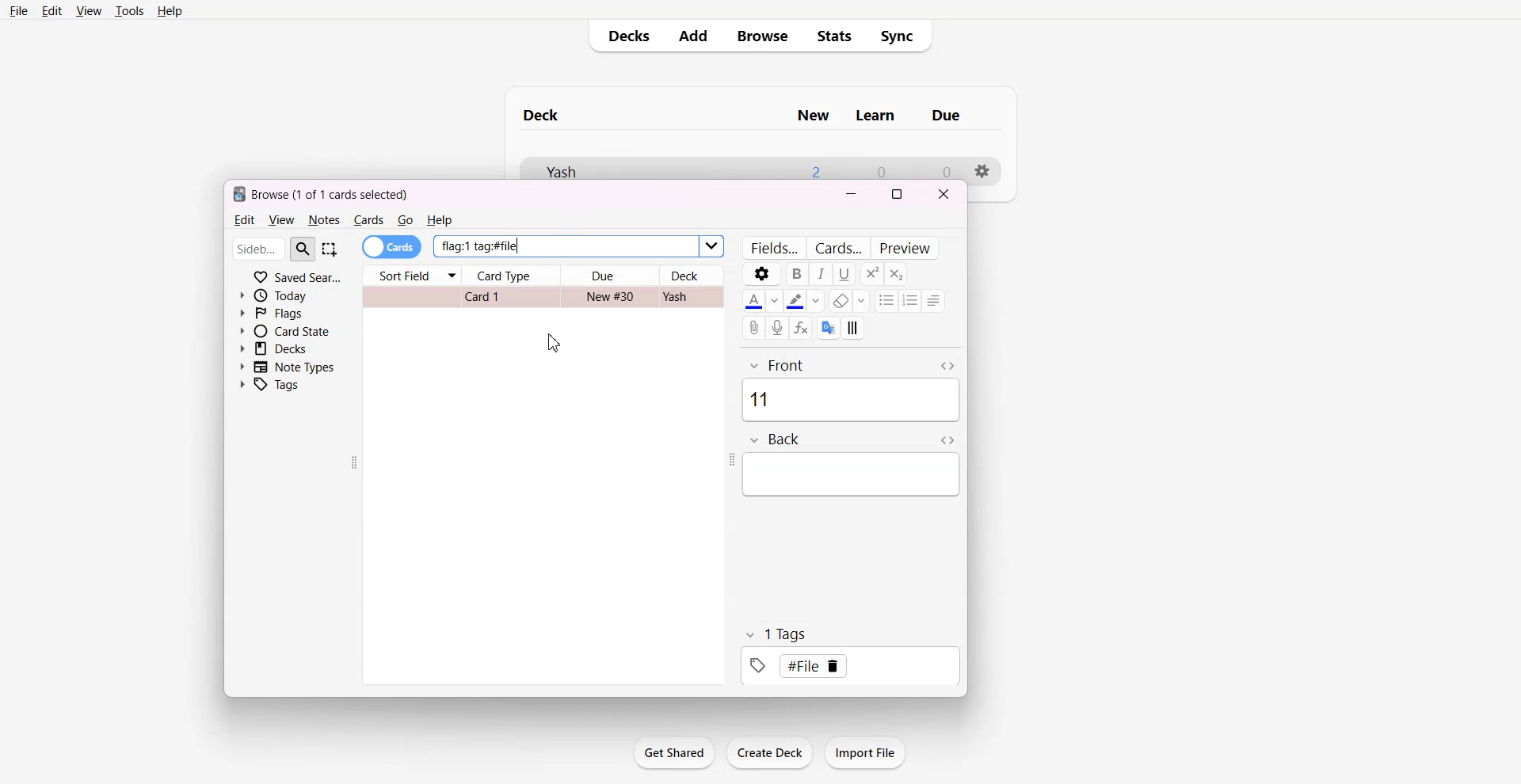  What do you see at coordinates (282, 314) in the screenshot?
I see `Flags` at bounding box center [282, 314].